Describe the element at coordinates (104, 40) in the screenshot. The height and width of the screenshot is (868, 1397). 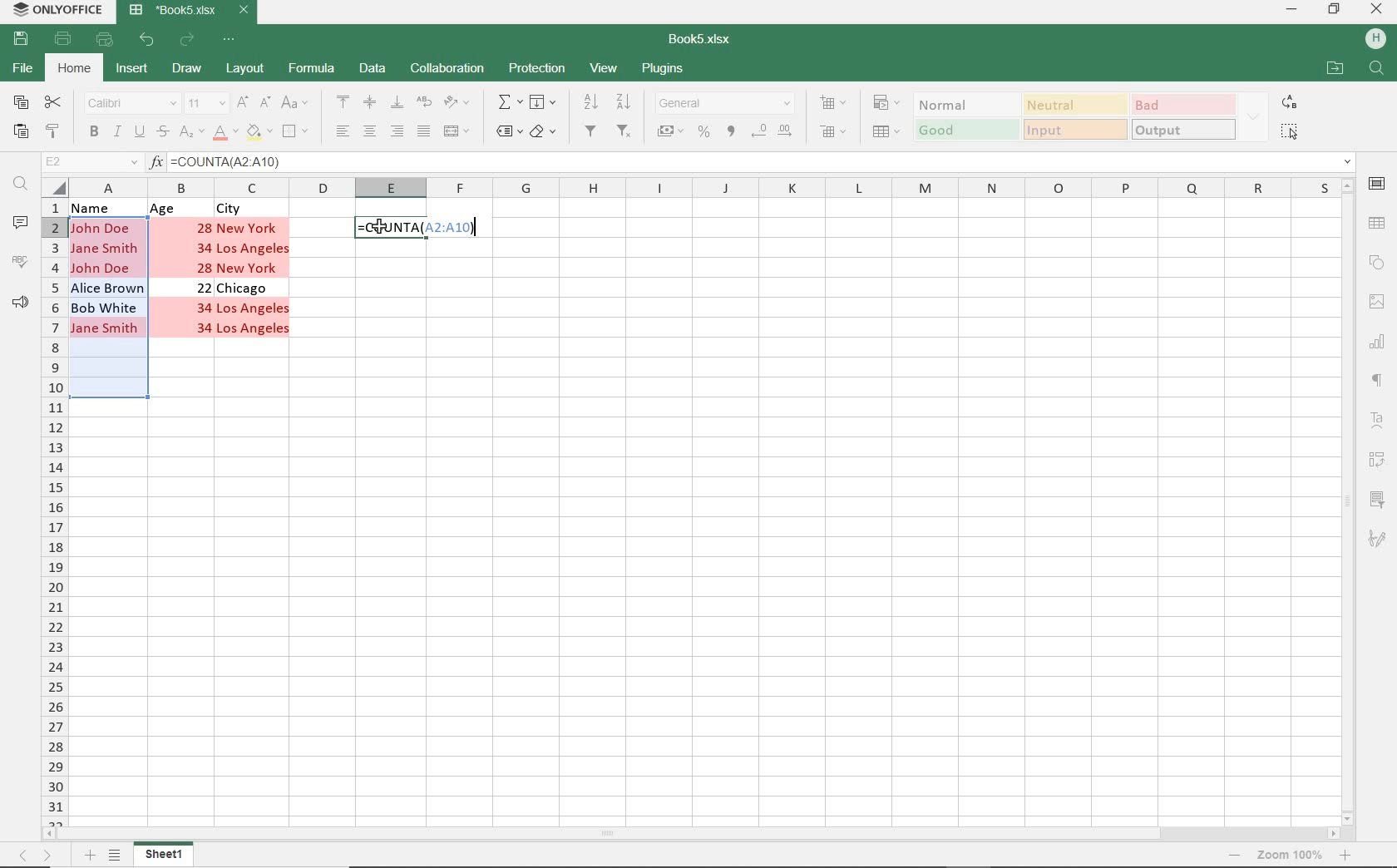
I see `QUICK PRINT` at that location.